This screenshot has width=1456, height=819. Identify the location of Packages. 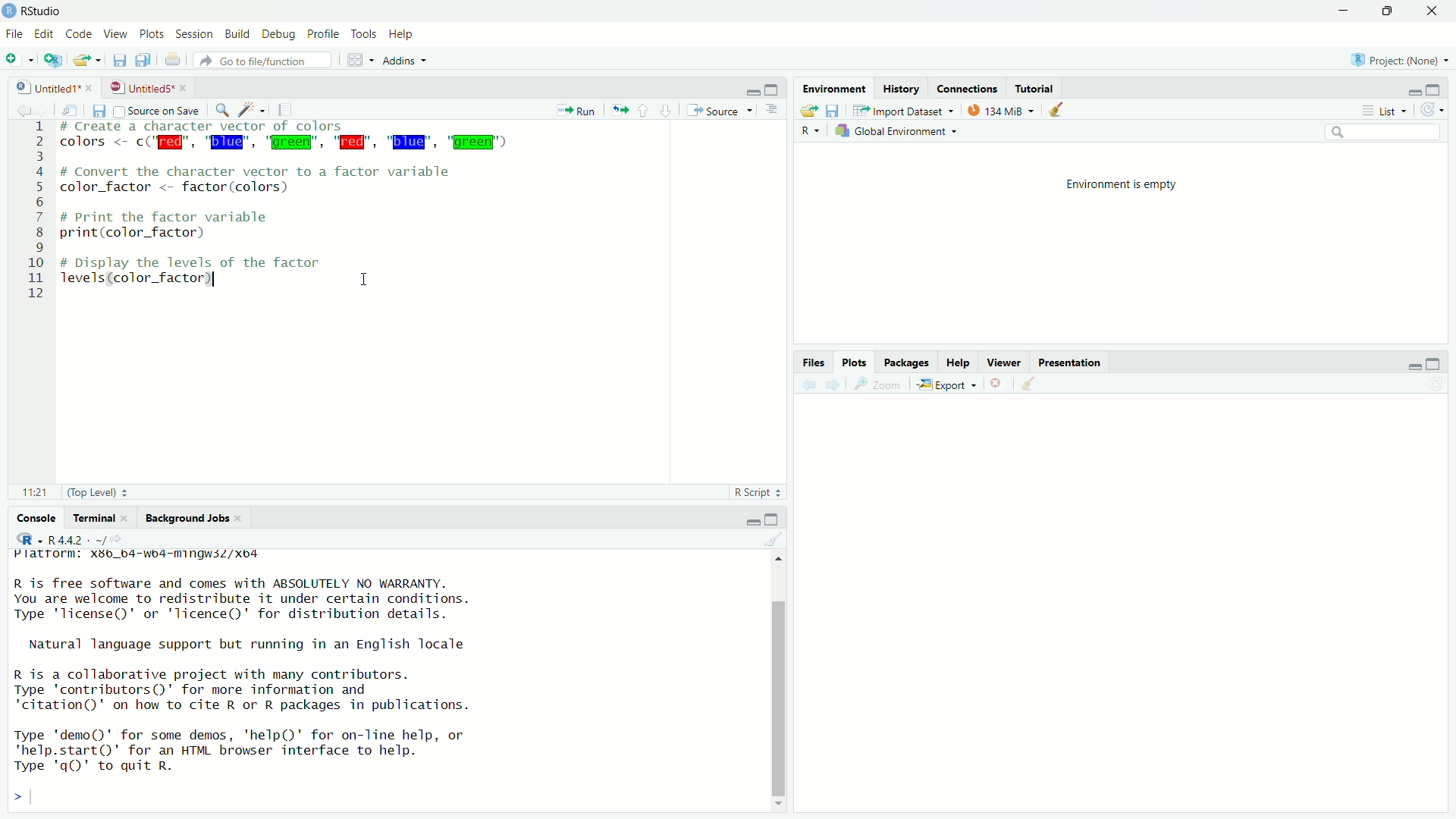
(905, 362).